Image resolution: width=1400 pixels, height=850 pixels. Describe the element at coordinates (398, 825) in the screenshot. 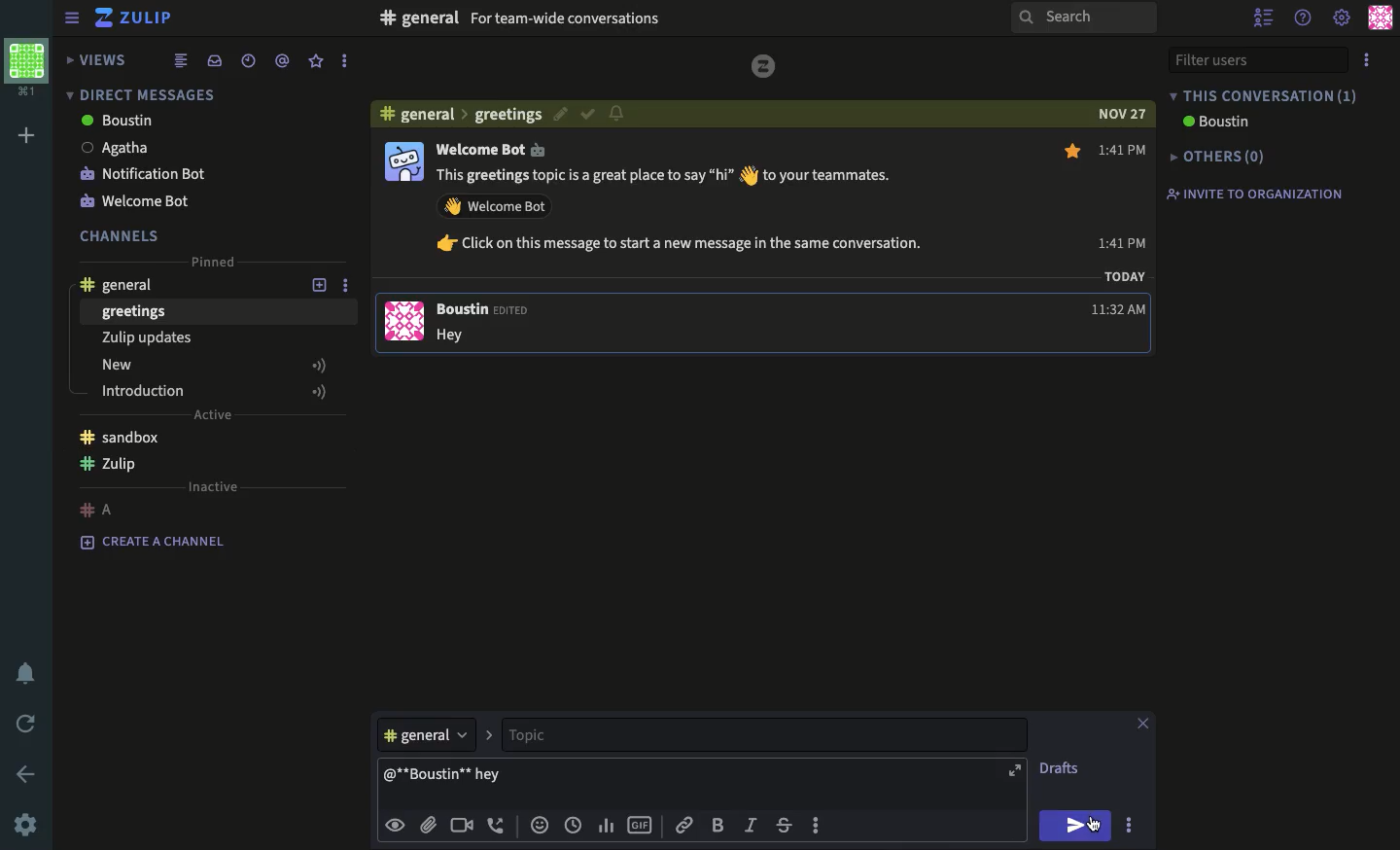

I see `visible` at that location.